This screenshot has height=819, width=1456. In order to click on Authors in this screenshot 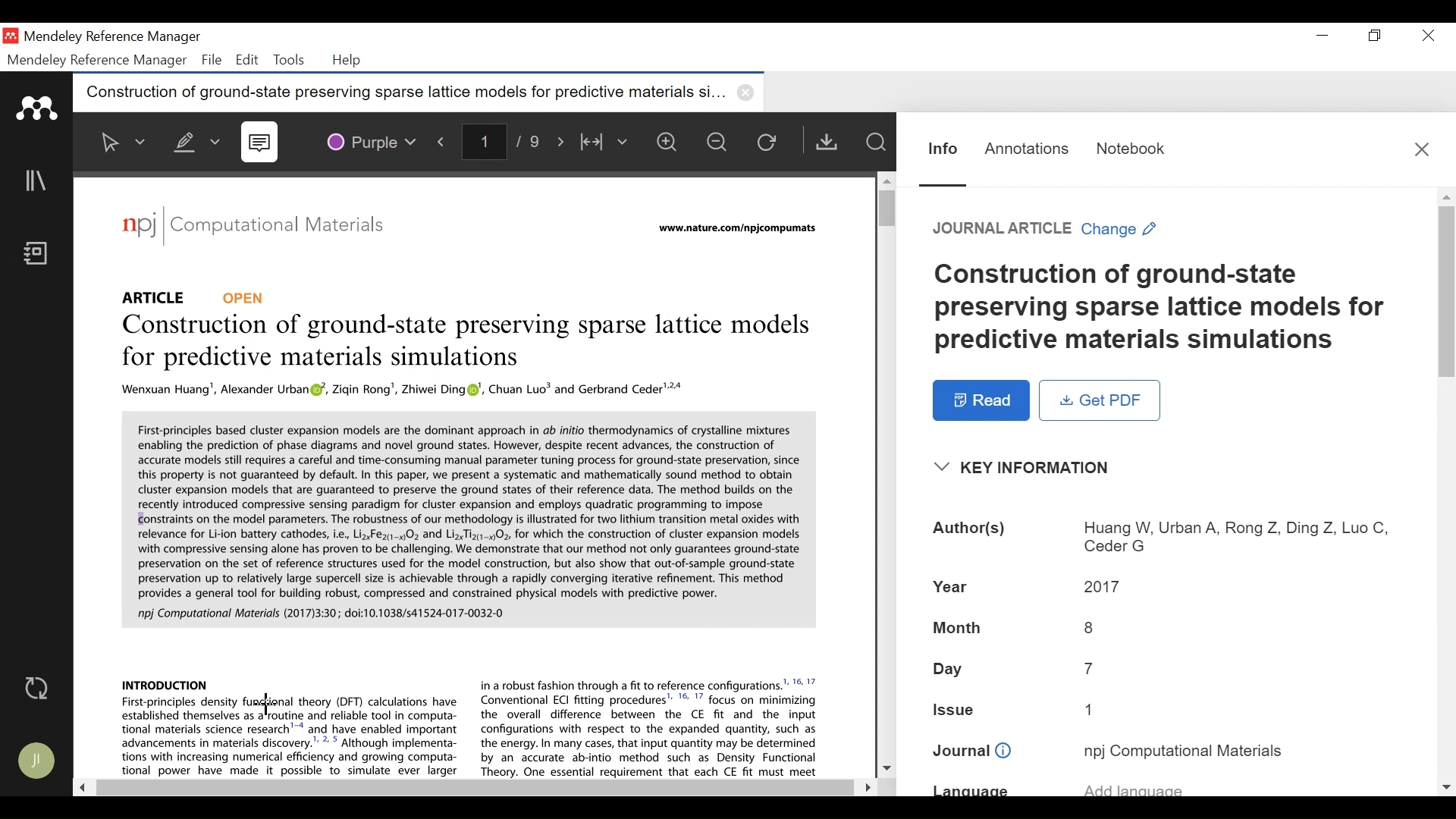, I will do `click(1166, 536)`.